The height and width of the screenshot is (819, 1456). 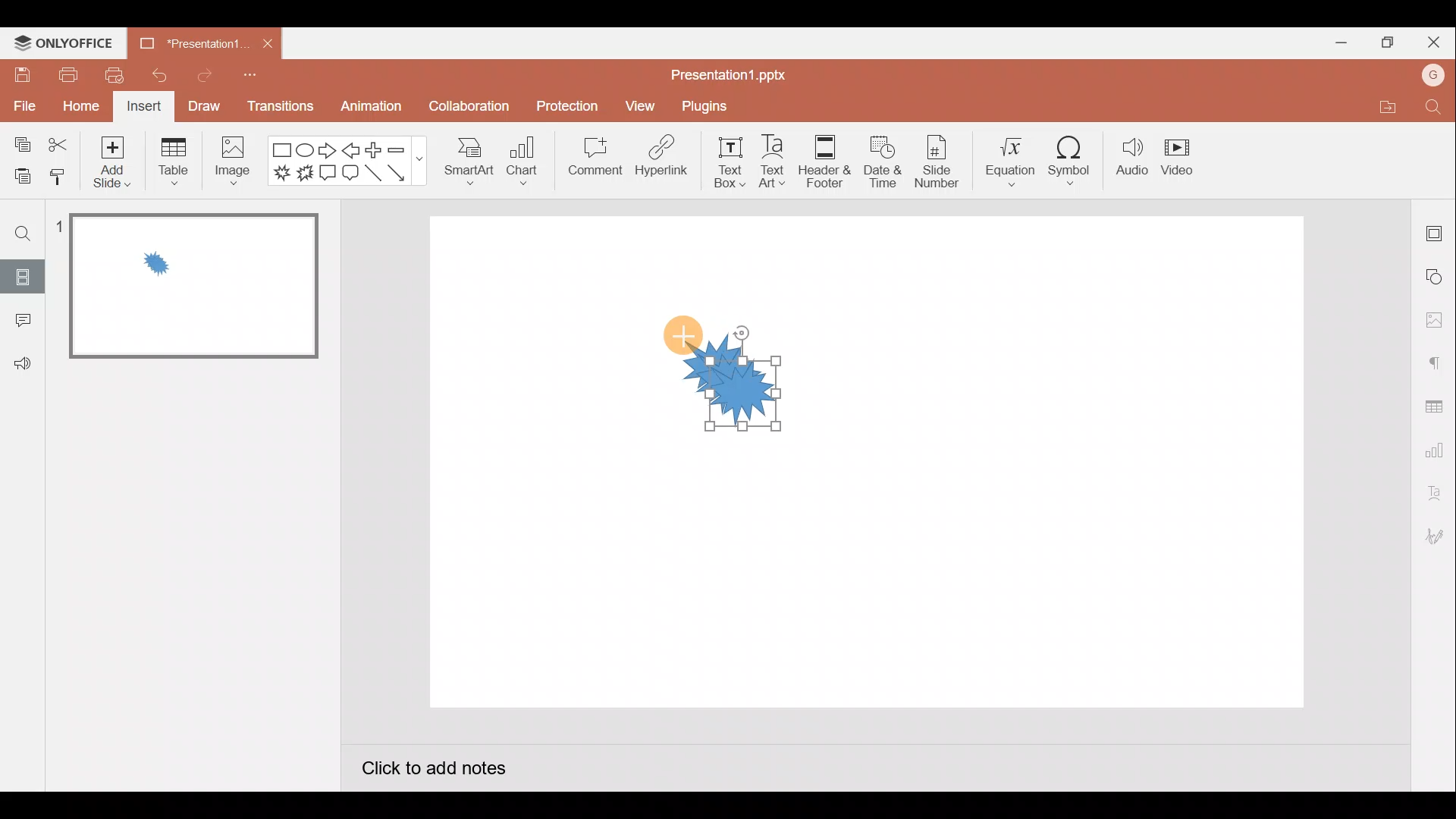 I want to click on ONLYOFFICE, so click(x=64, y=42).